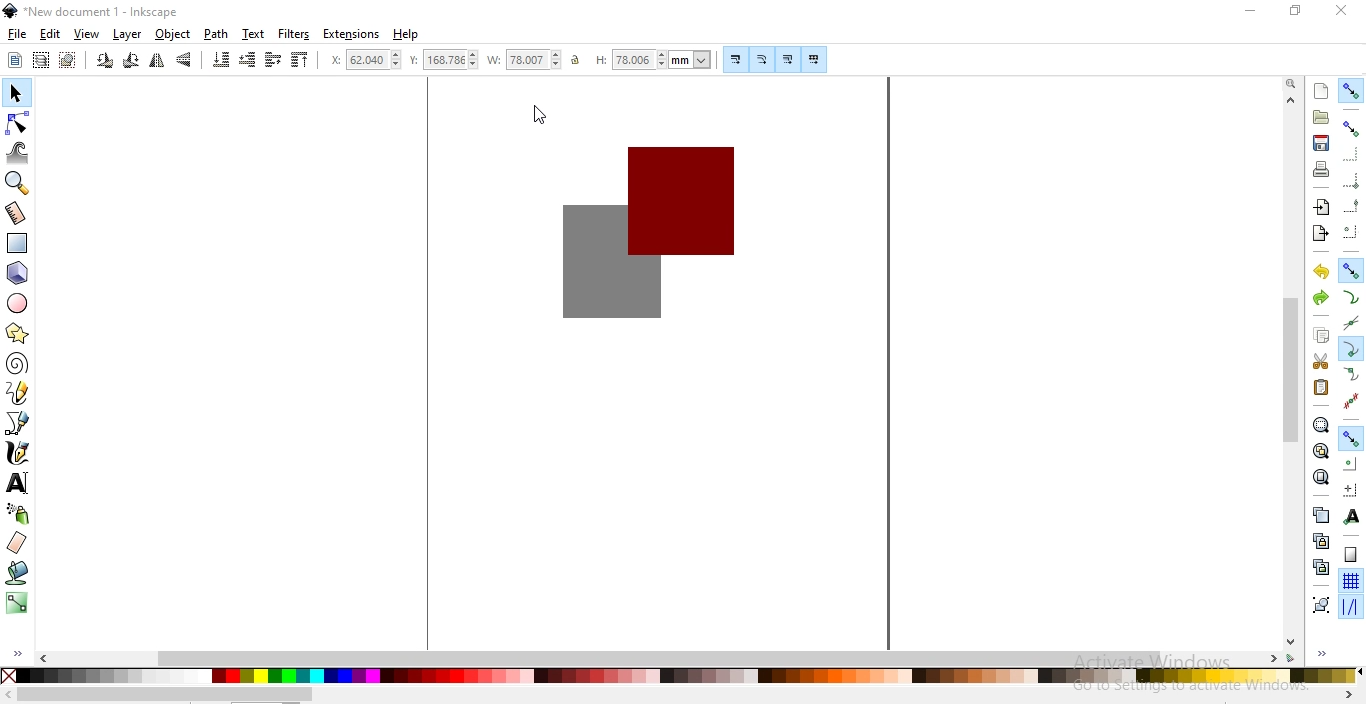  What do you see at coordinates (157, 62) in the screenshot?
I see `flip horizontal` at bounding box center [157, 62].